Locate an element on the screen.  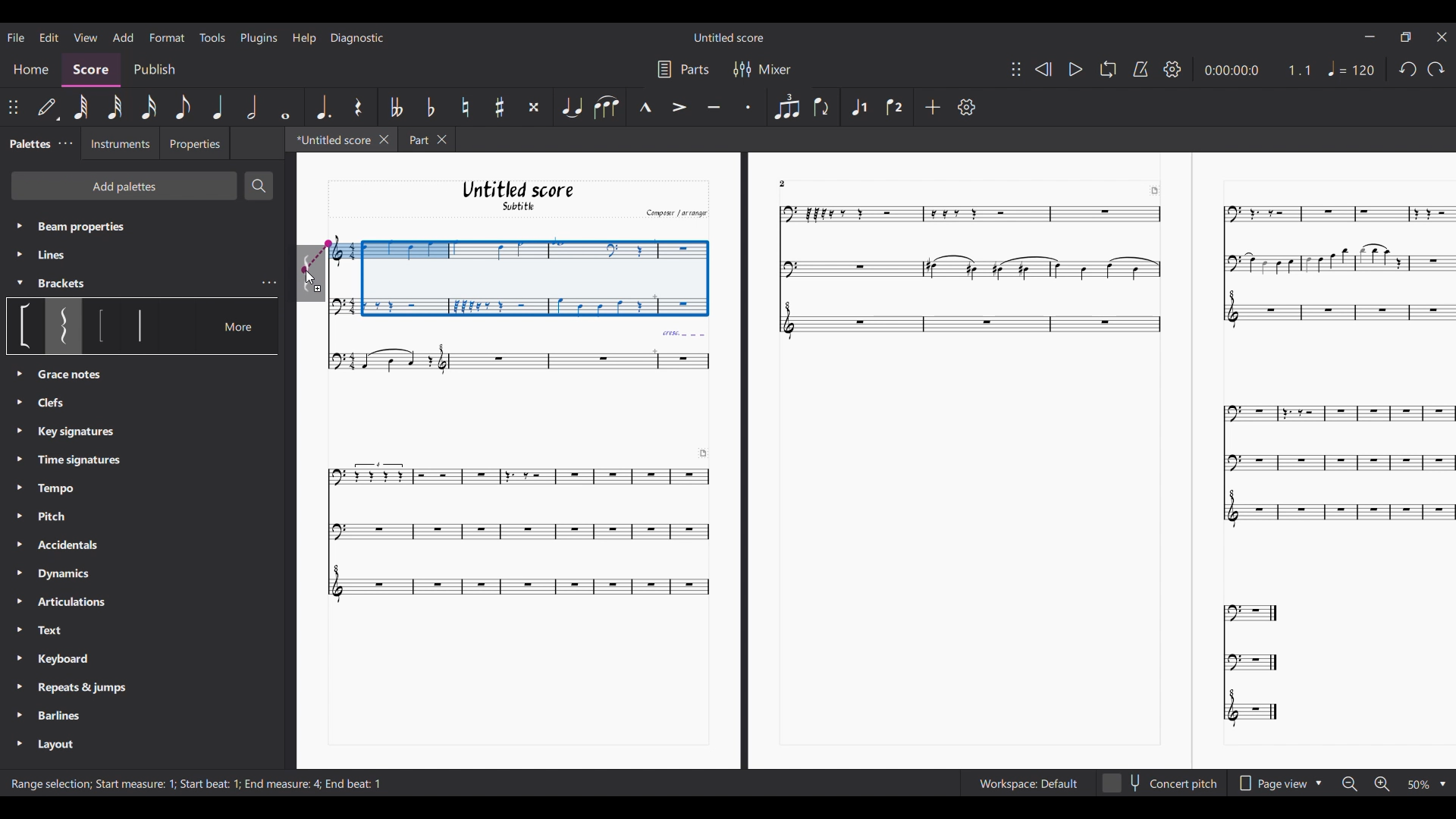
 is located at coordinates (20, 715).